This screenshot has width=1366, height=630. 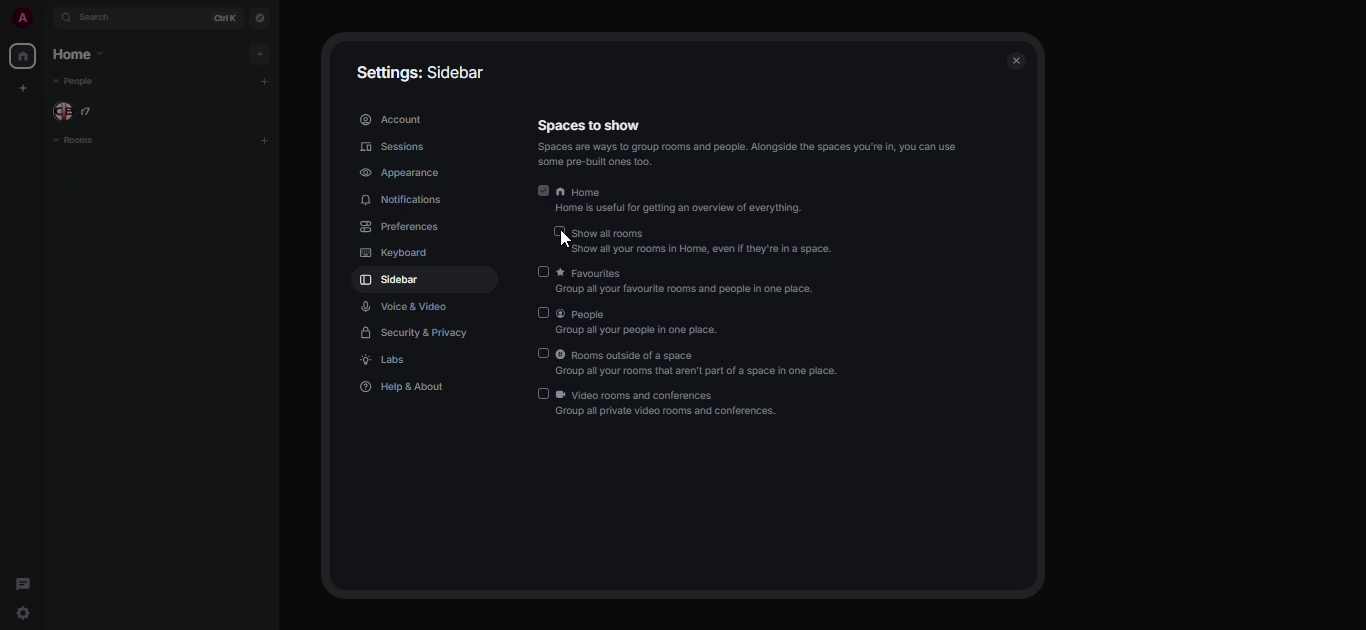 I want to click on rooms outside of a space, so click(x=700, y=364).